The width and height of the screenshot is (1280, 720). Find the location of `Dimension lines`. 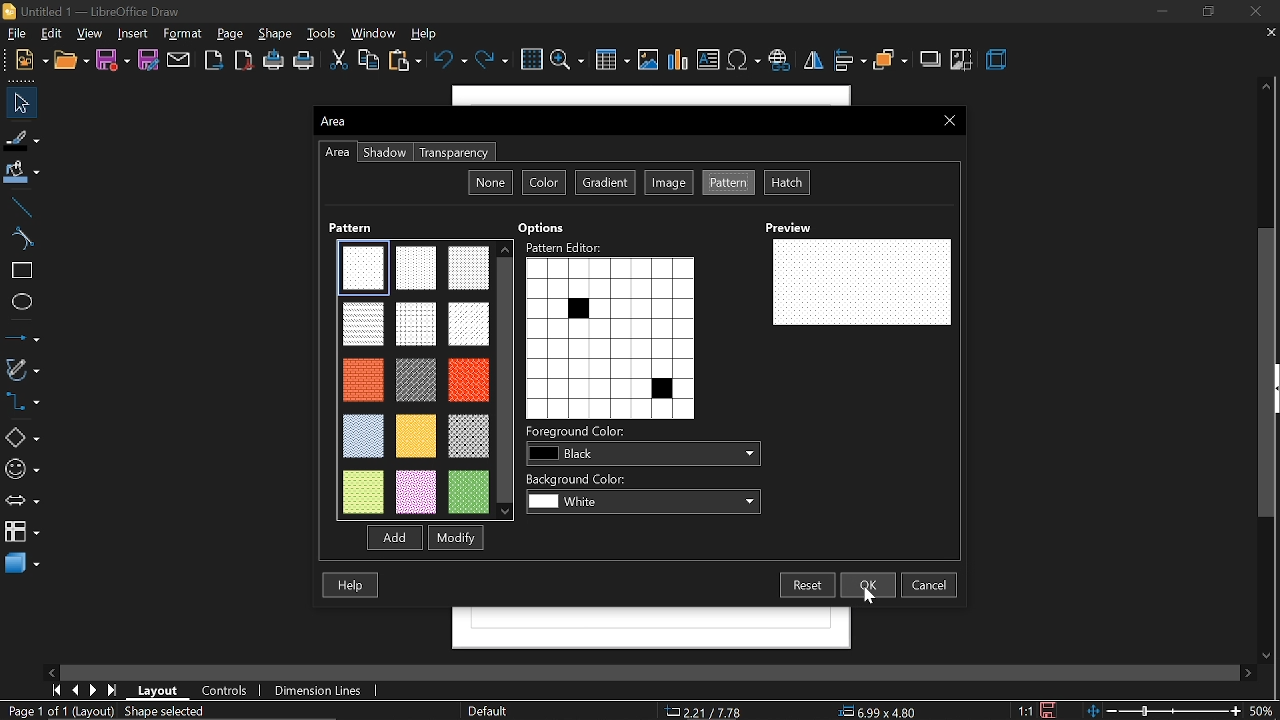

Dimension lines is located at coordinates (326, 692).